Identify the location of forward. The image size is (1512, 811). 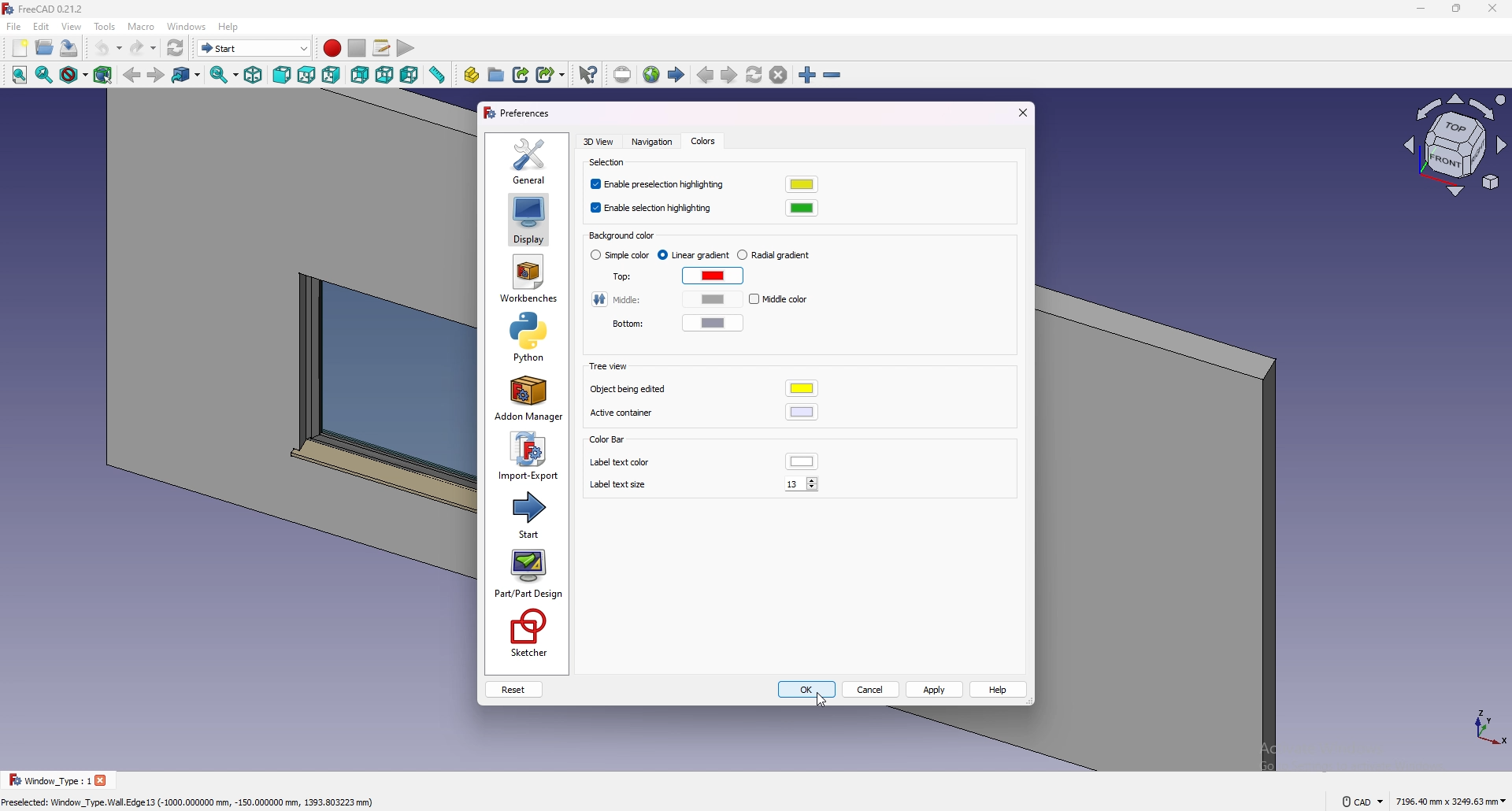
(155, 76).